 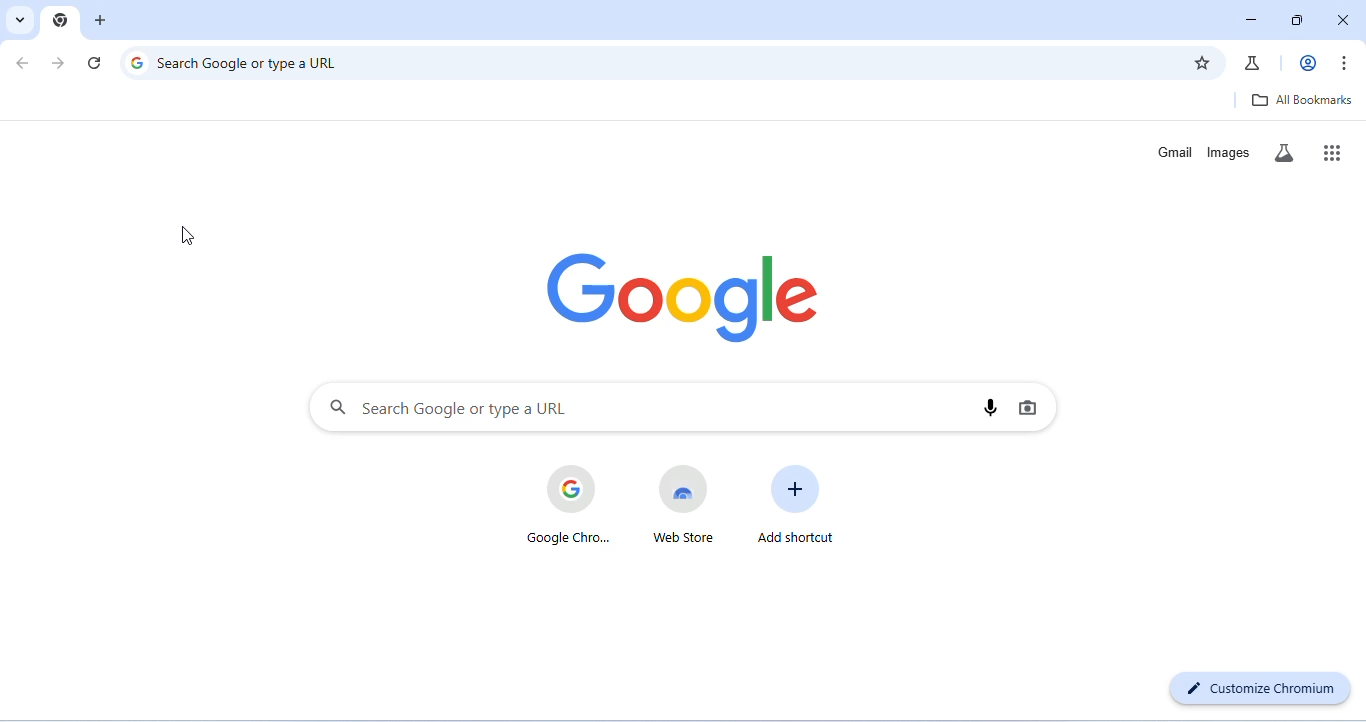 I want to click on search labs, so click(x=1286, y=152).